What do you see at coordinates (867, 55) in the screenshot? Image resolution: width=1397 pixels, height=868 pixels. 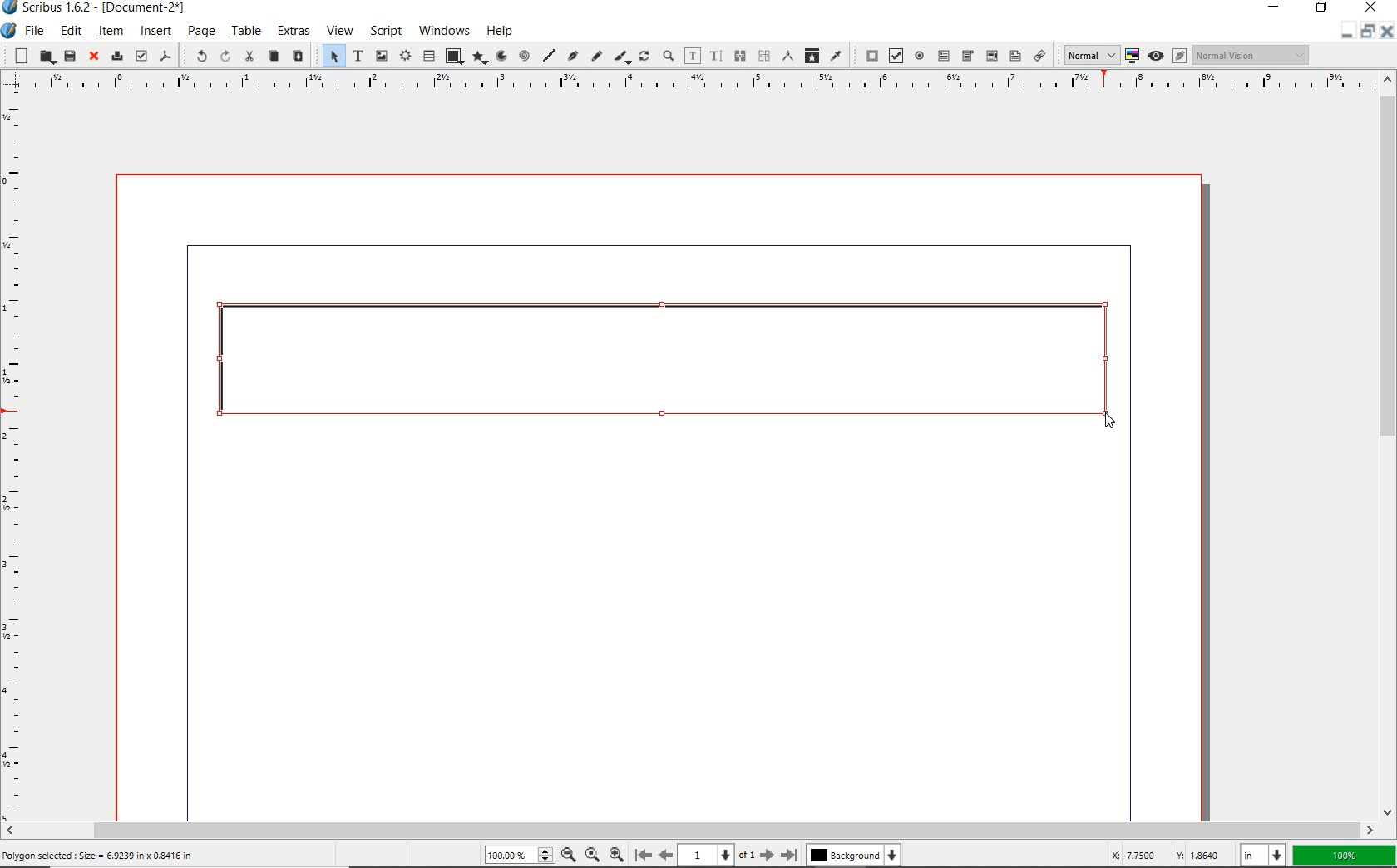 I see `pdf push button` at bounding box center [867, 55].